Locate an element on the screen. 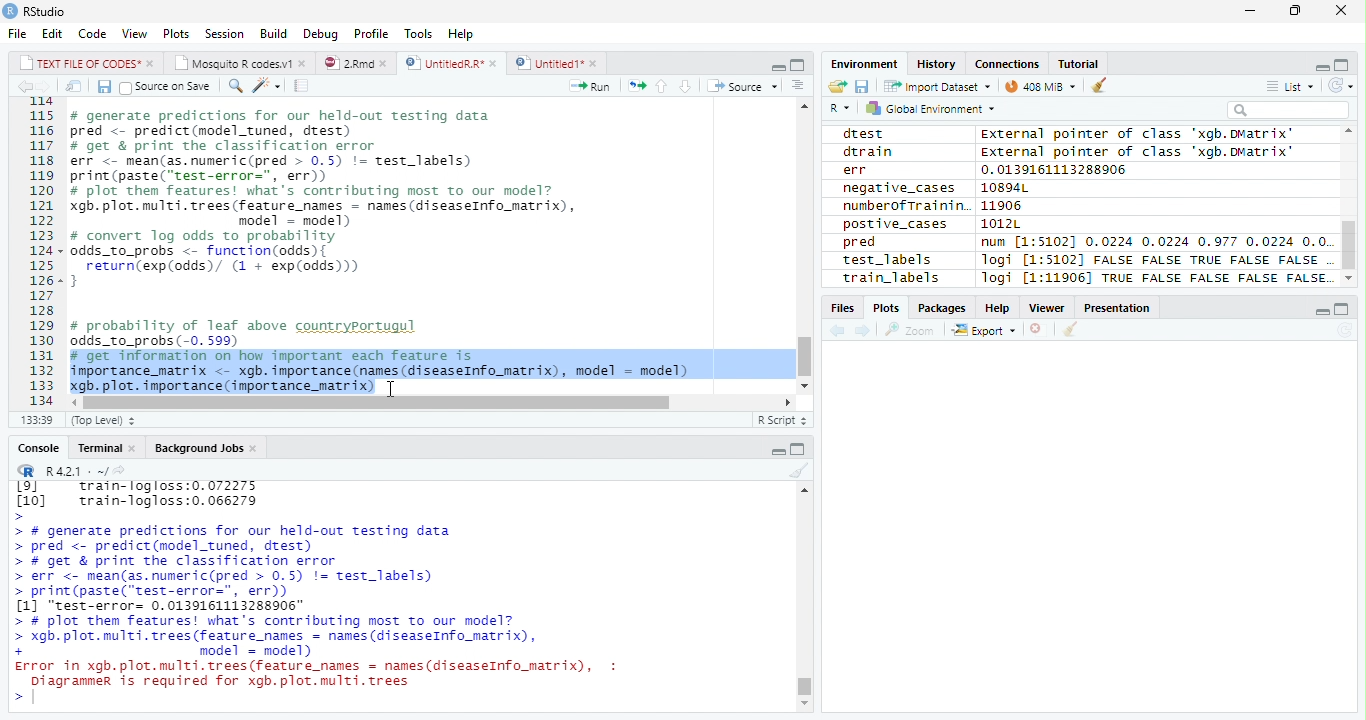  Coding Tools is located at coordinates (266, 84).